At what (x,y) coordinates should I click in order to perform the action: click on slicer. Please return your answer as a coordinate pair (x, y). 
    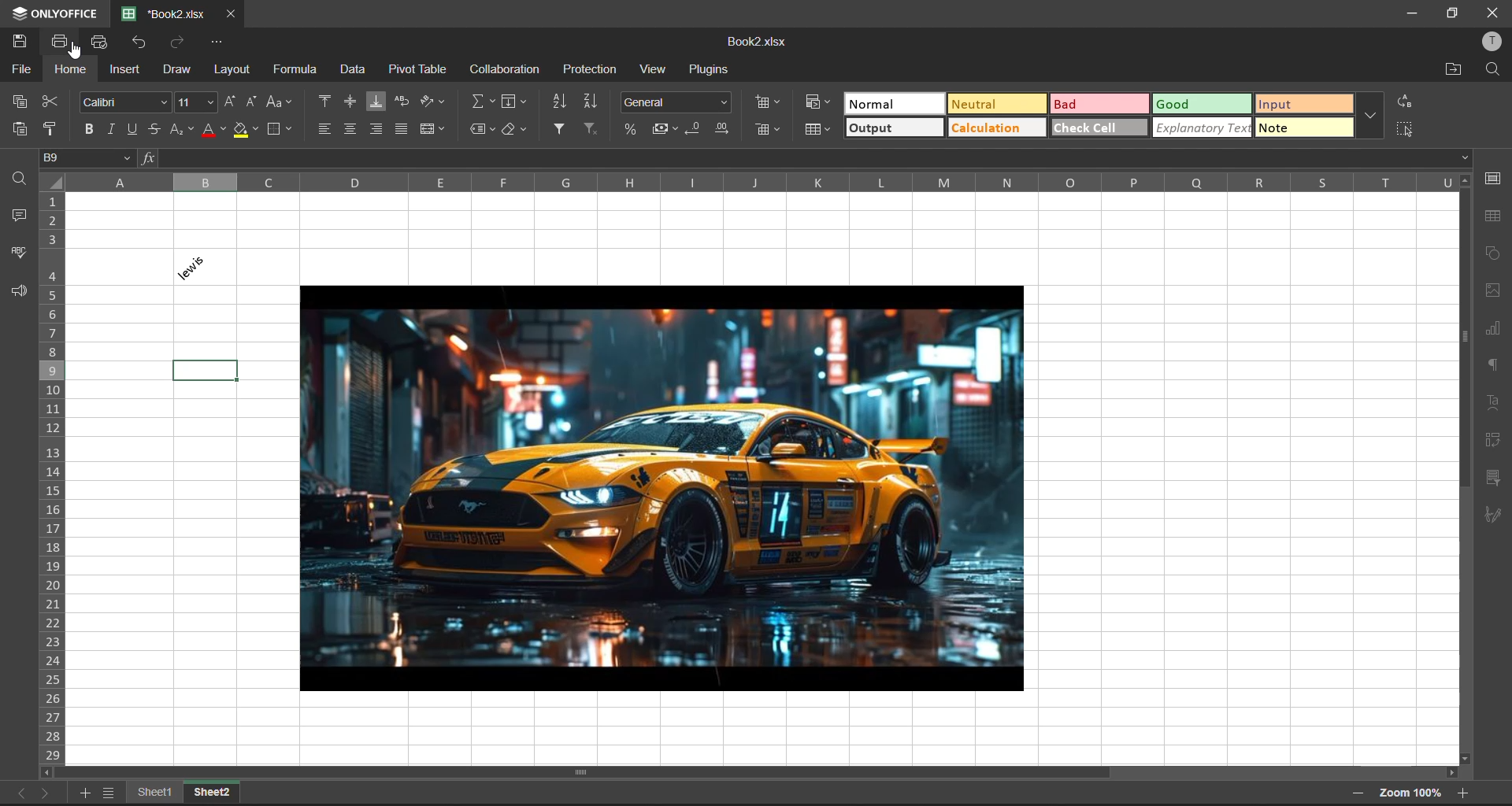
    Looking at the image, I should click on (1495, 478).